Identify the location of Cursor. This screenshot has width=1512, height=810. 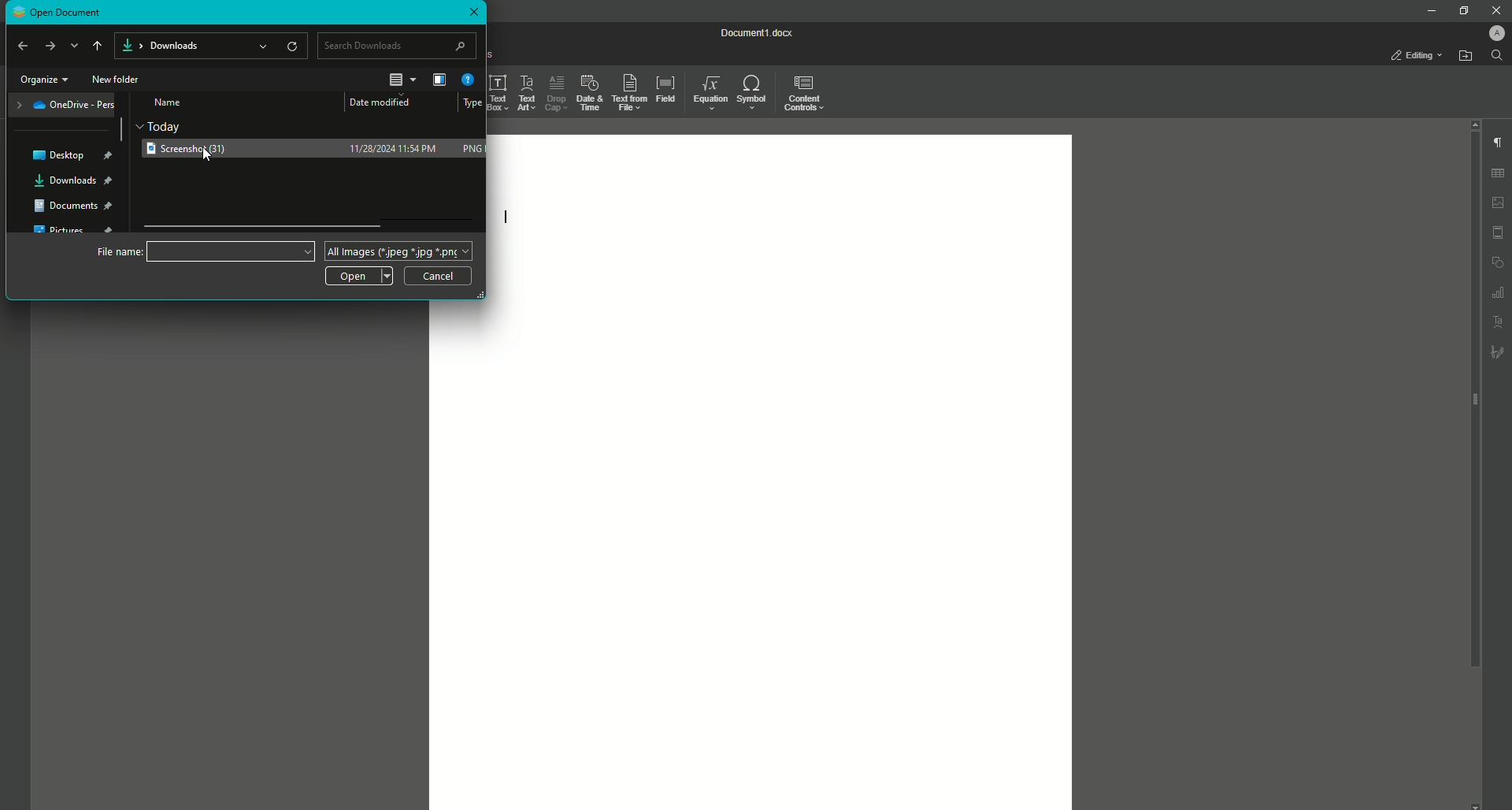
(209, 154).